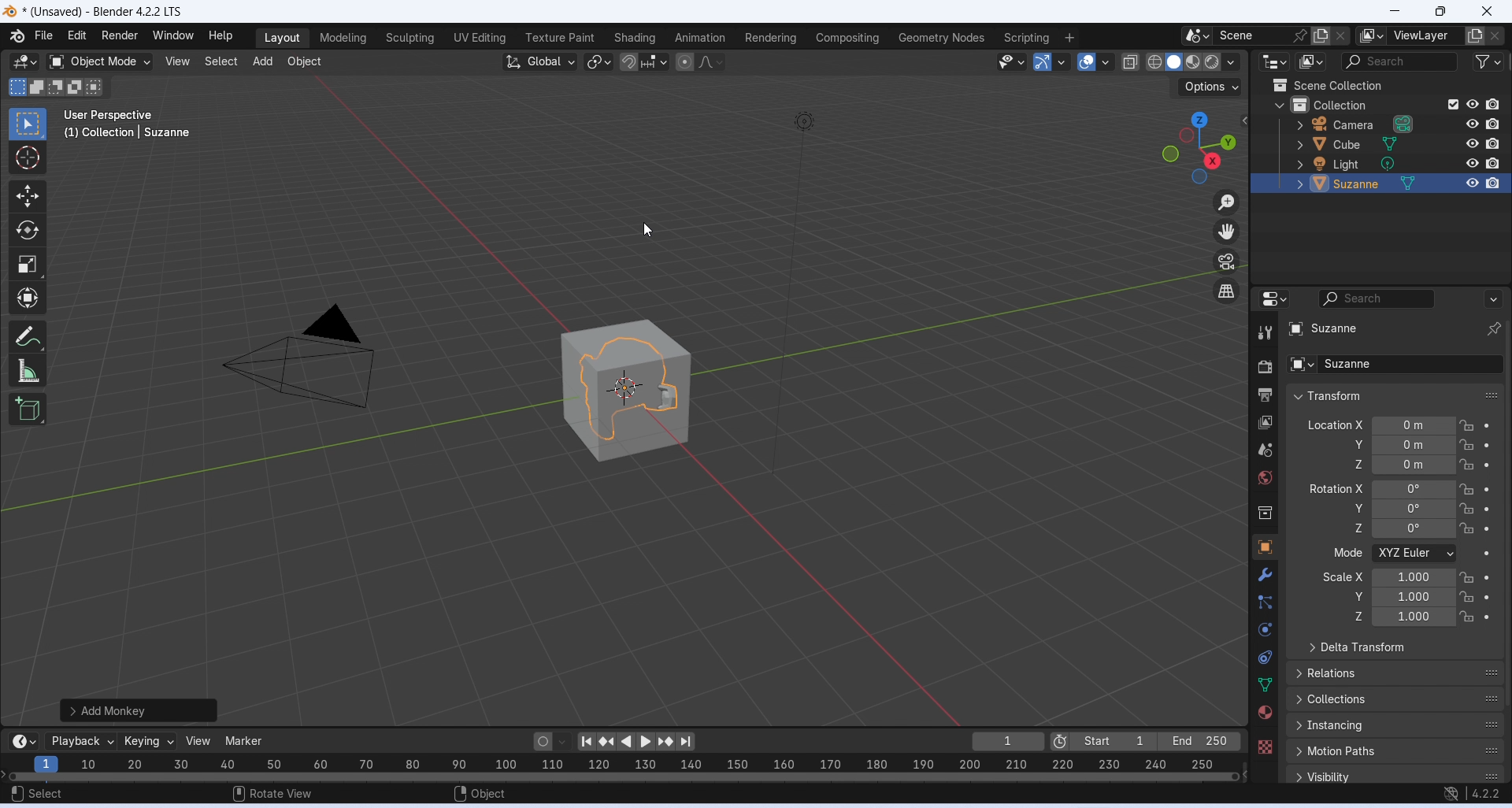  I want to click on filter, so click(1488, 61).